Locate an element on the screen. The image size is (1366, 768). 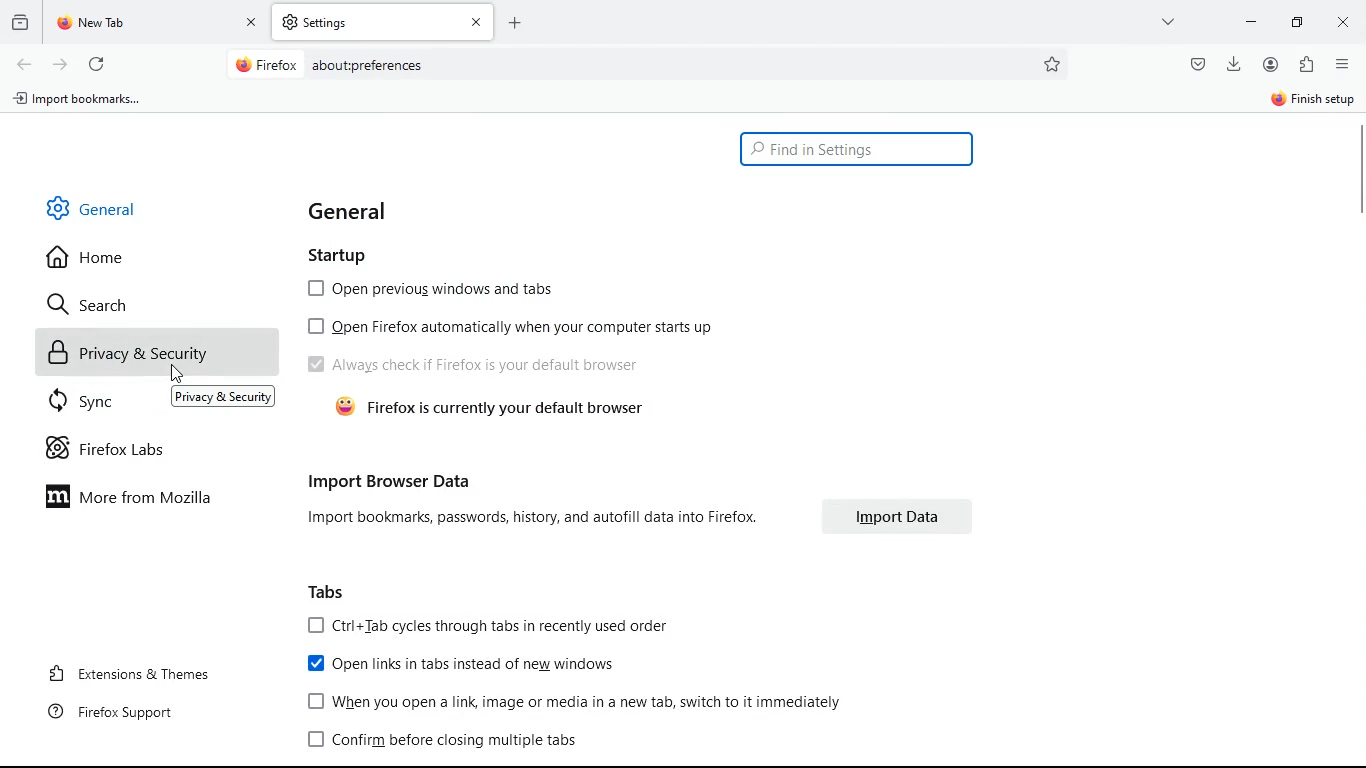
import browser data is located at coordinates (401, 476).